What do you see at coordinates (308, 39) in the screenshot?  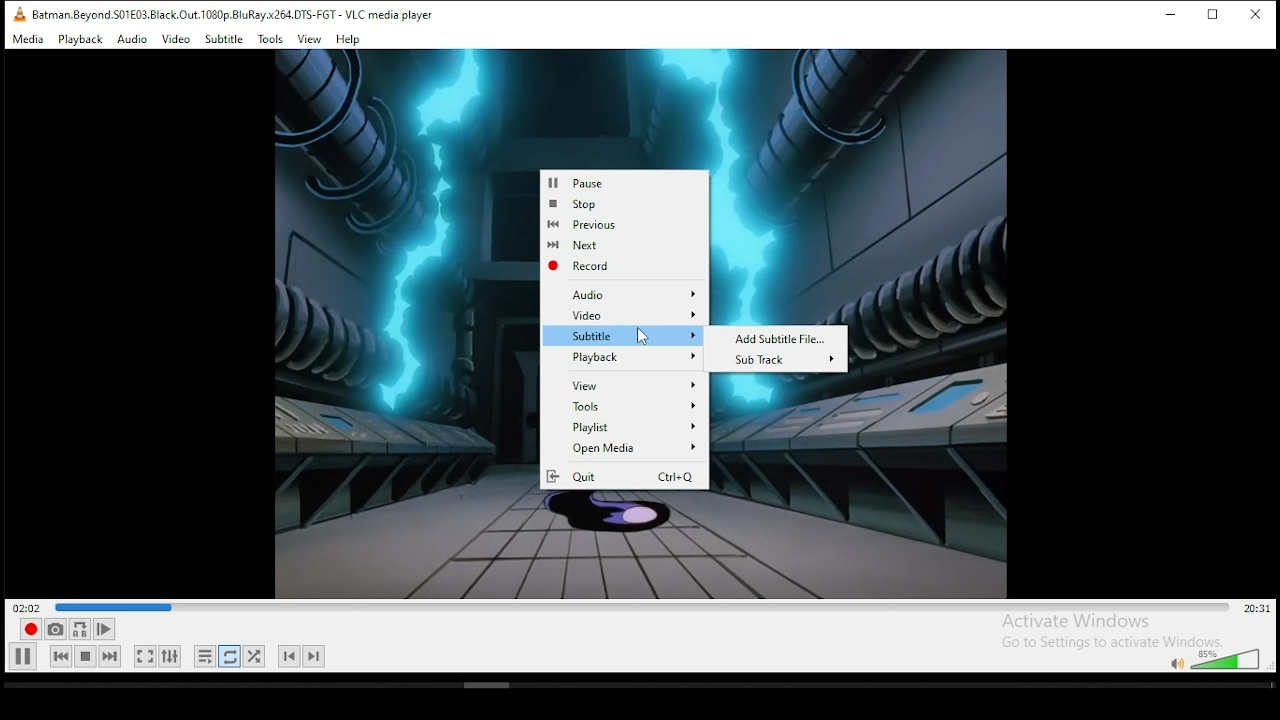 I see `view` at bounding box center [308, 39].